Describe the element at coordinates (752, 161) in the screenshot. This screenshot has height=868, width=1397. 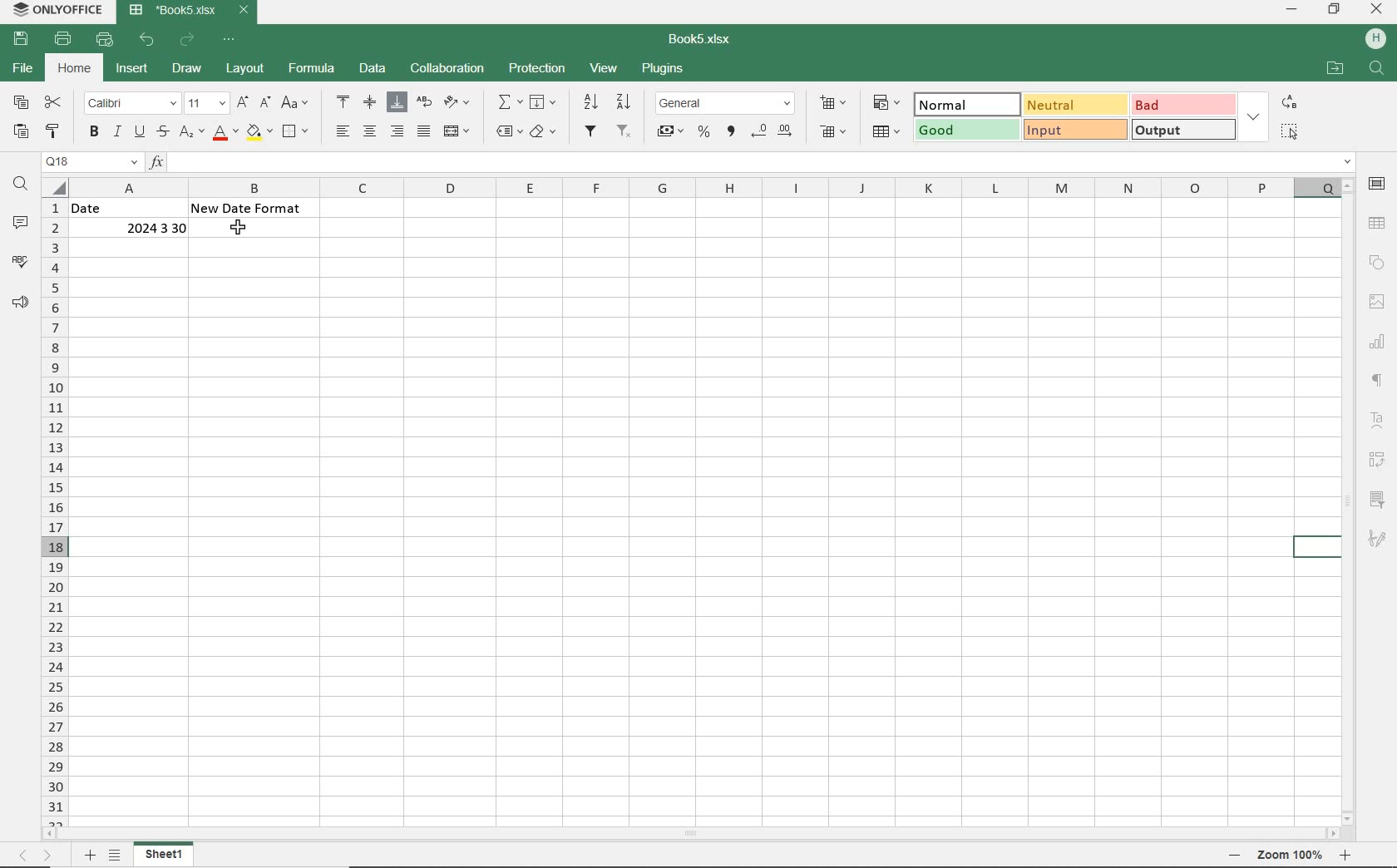
I see `INPUT FUNCTION` at that location.